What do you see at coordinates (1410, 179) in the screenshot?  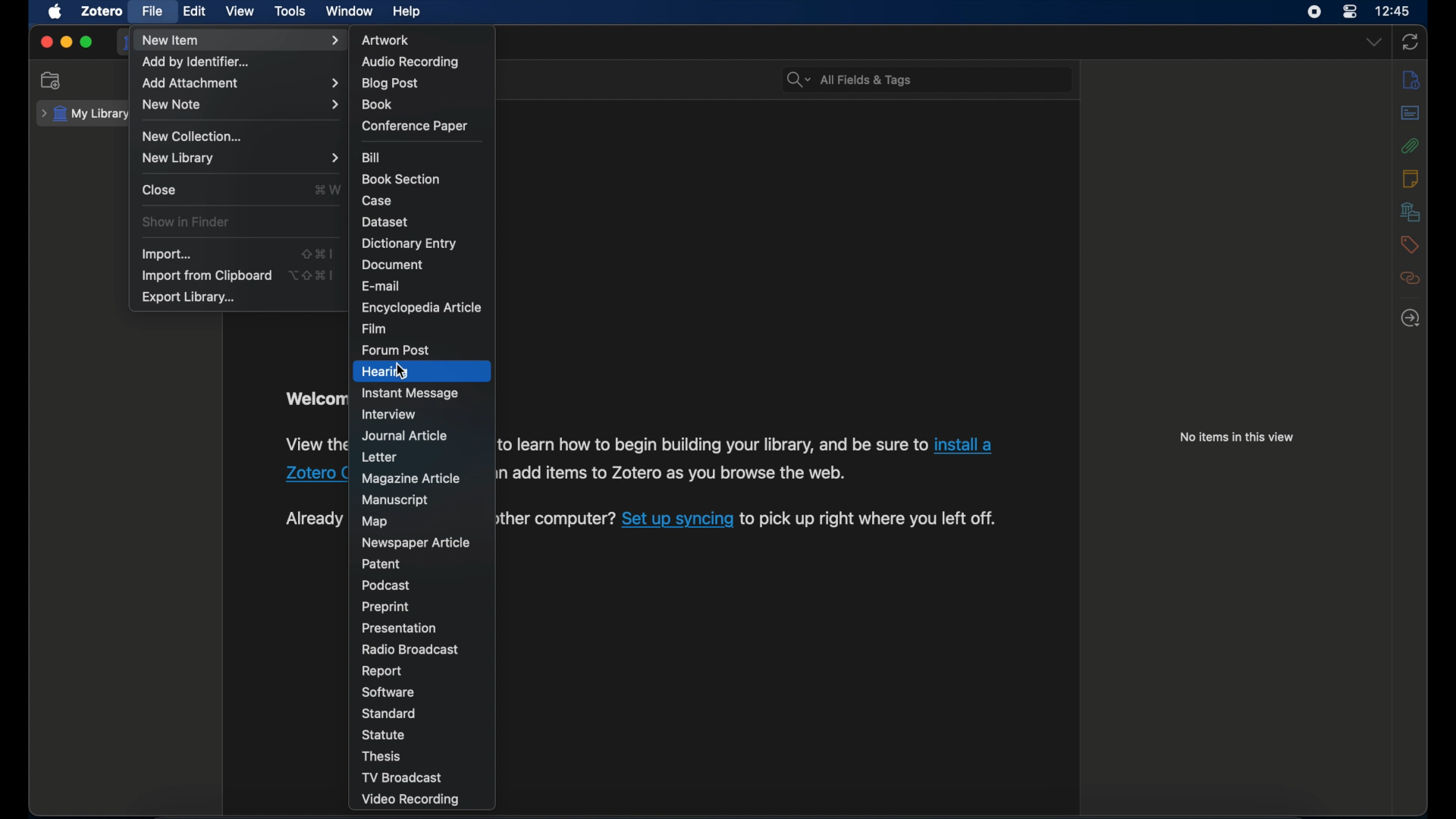 I see `notes` at bounding box center [1410, 179].